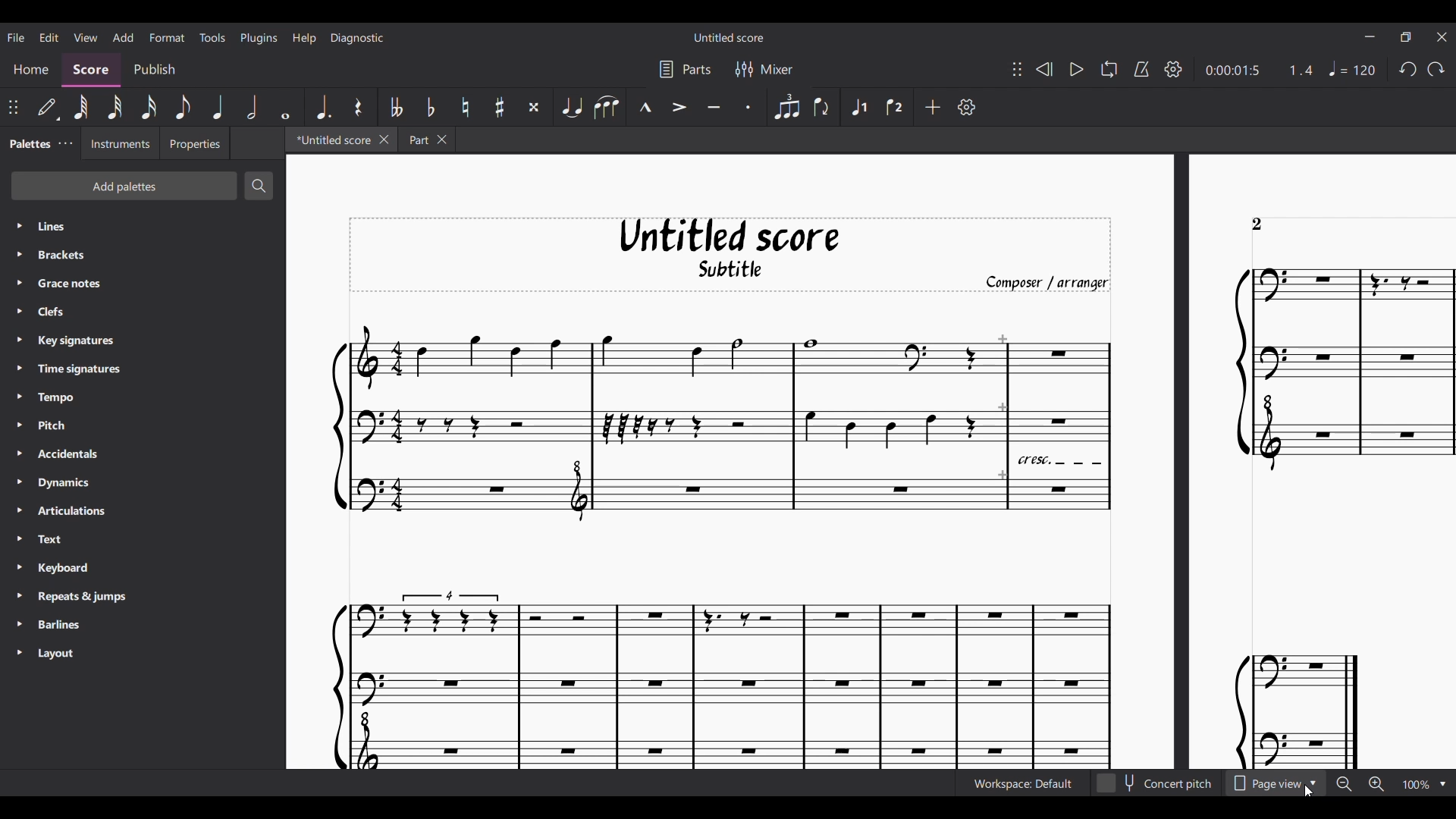  I want to click on Playback settings, so click(1173, 69).